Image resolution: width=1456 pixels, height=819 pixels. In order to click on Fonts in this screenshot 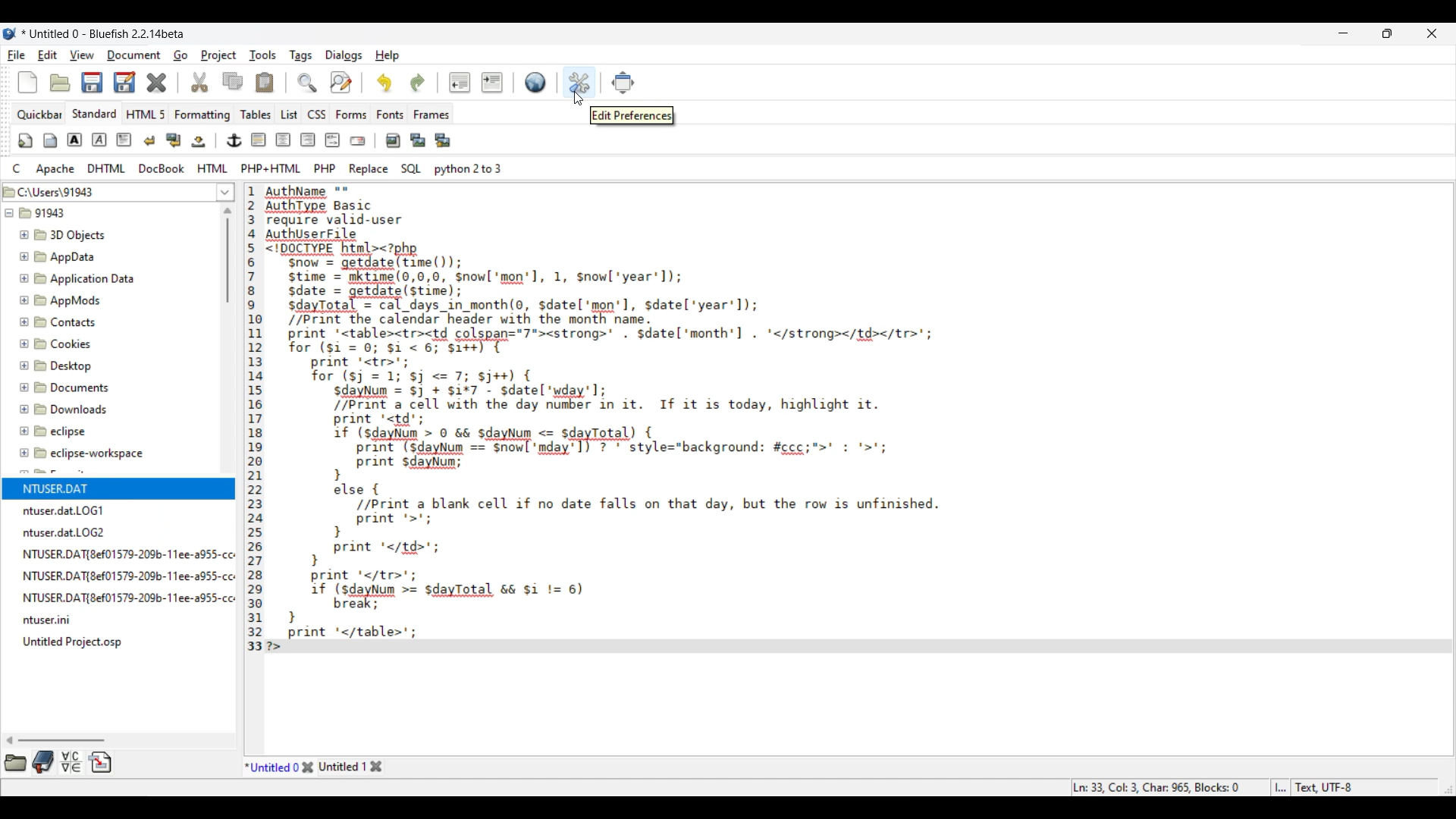, I will do `click(391, 115)`.